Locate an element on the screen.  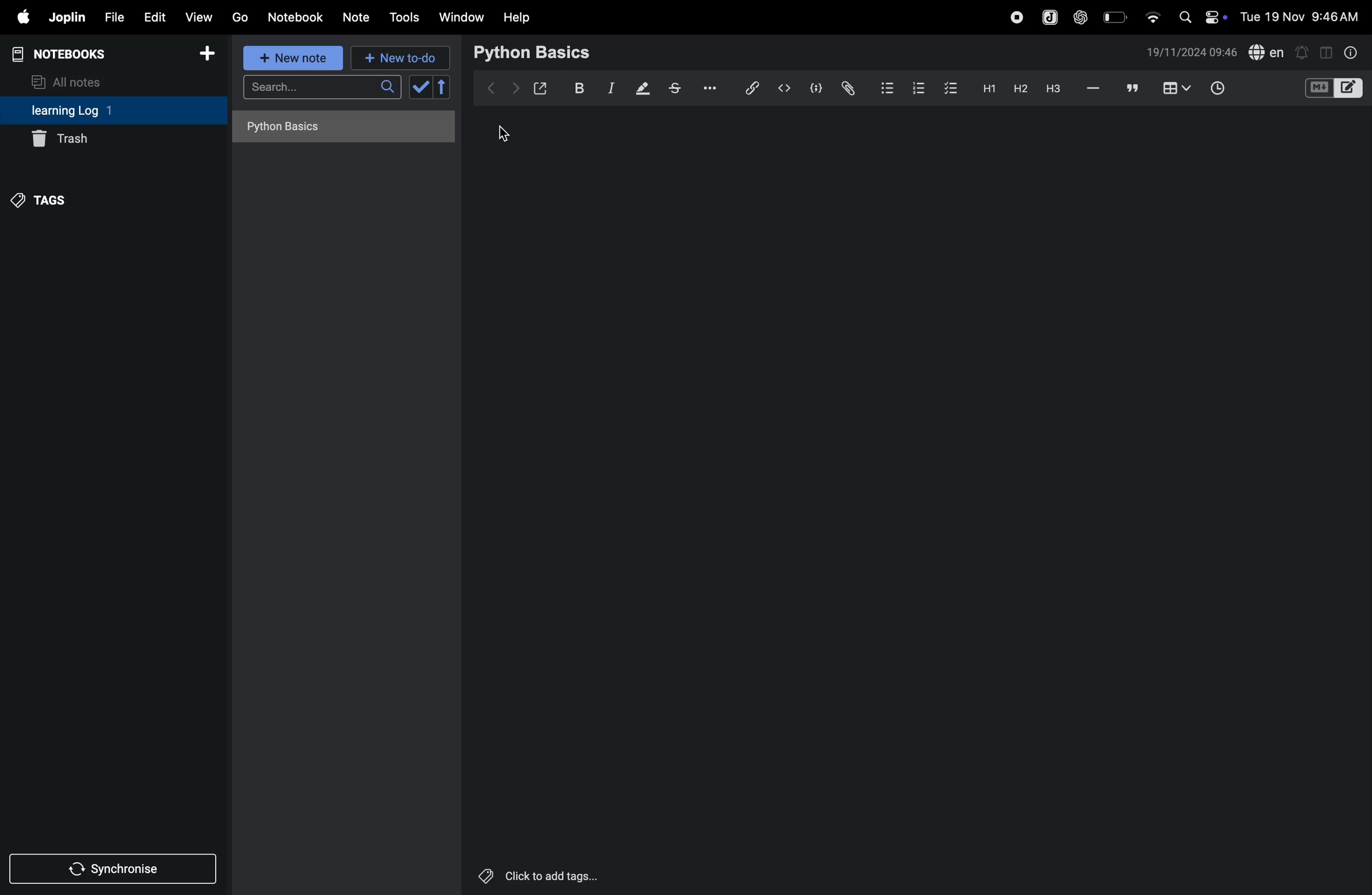
no notes here is located at coordinates (340, 130).